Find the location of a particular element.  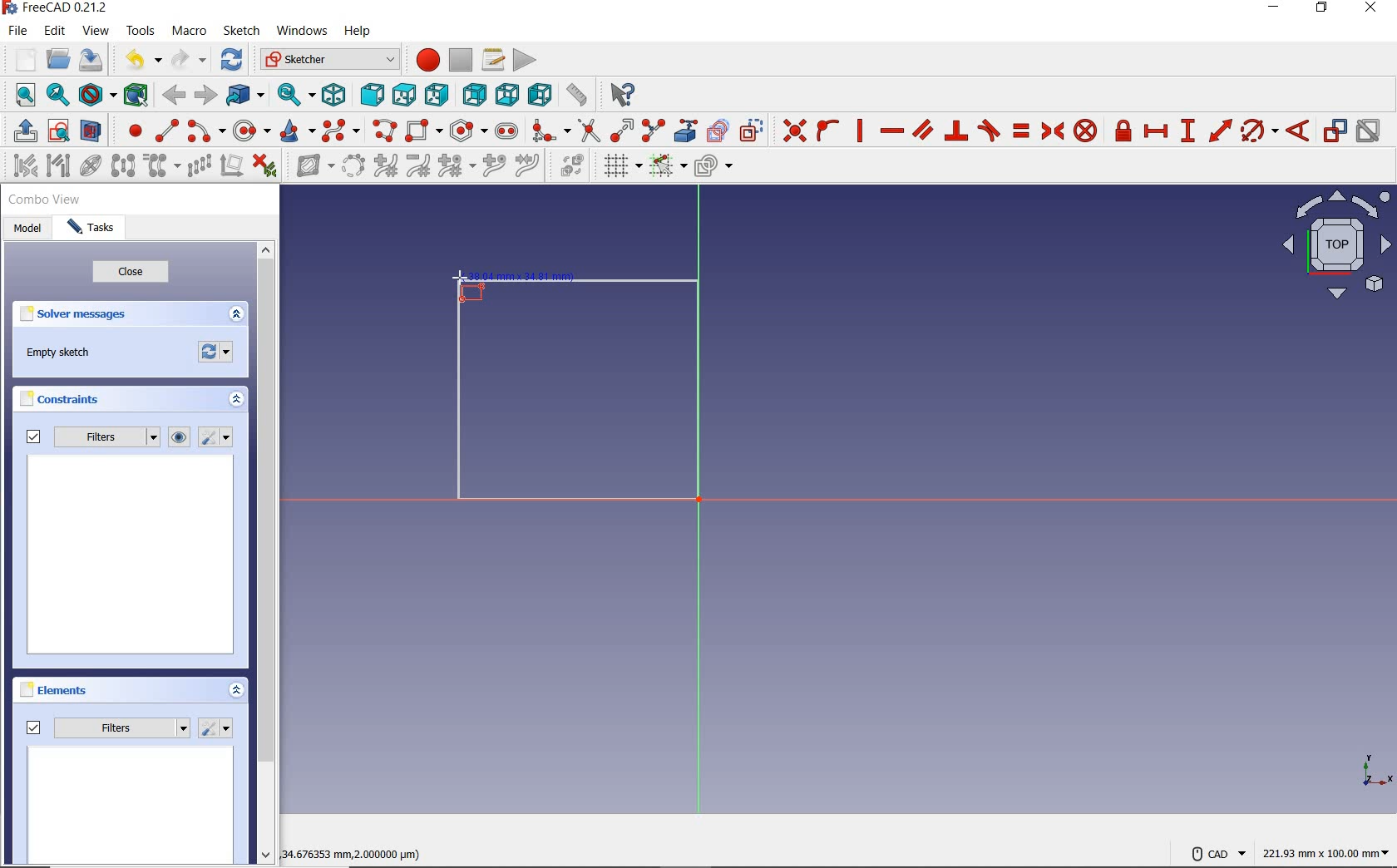

select associated constraints is located at coordinates (19, 165).